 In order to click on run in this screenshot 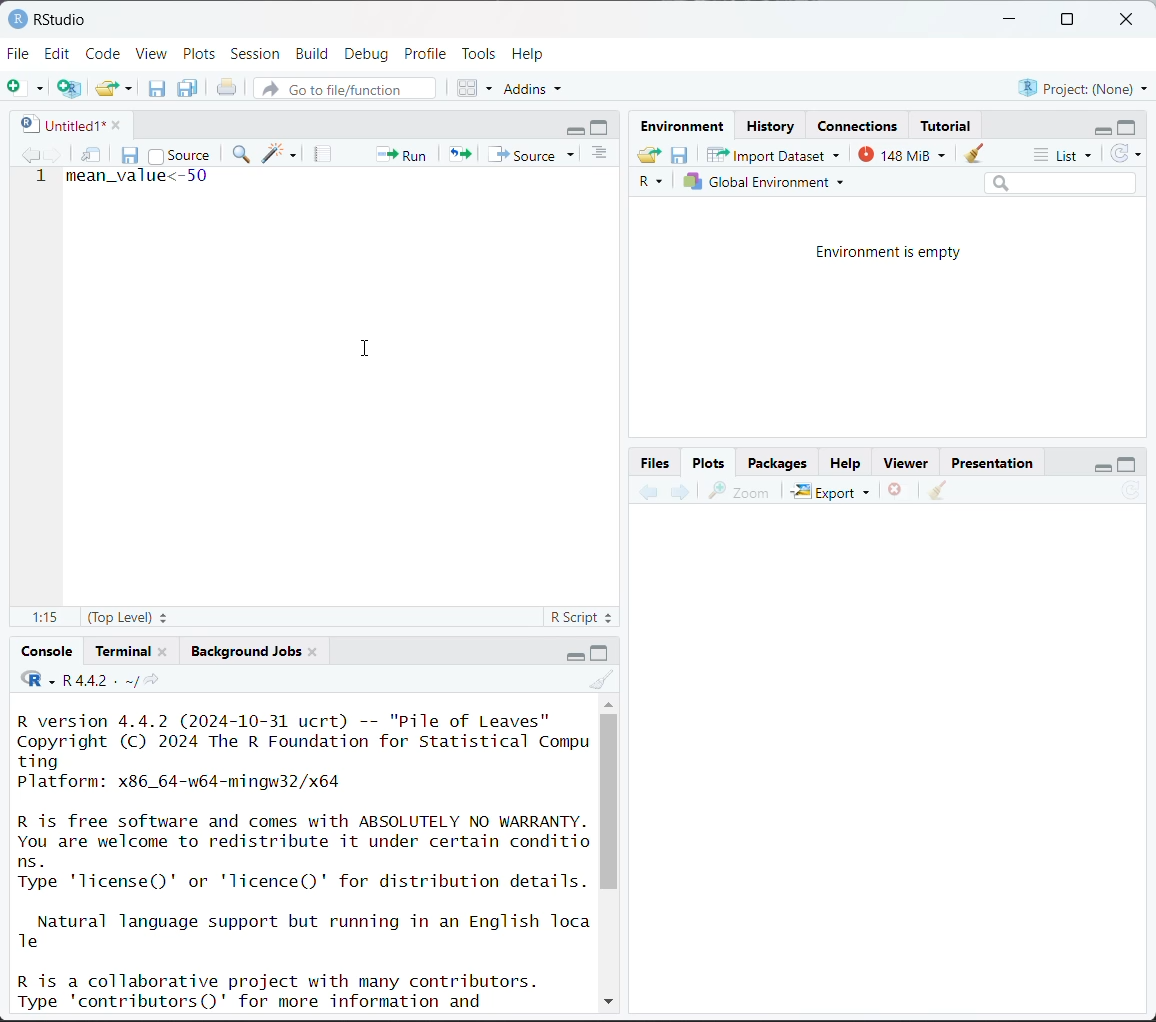, I will do `click(399, 153)`.